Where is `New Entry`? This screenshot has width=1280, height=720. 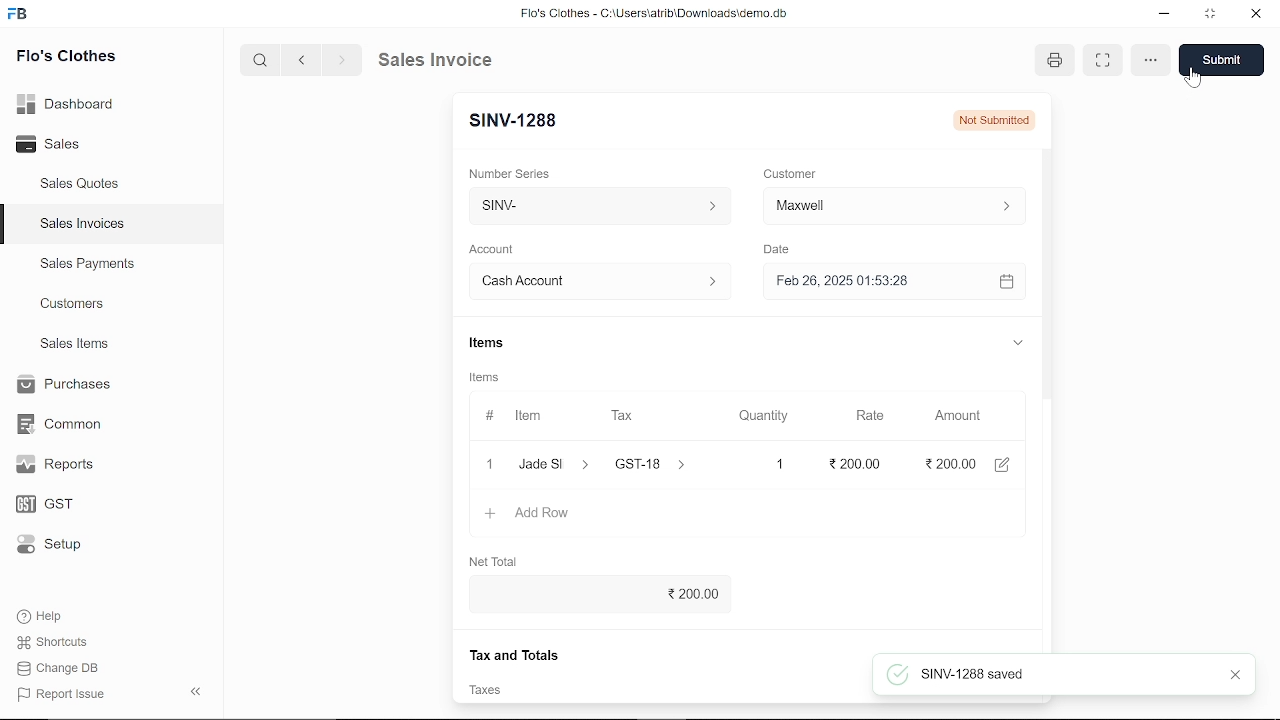 New Entry is located at coordinates (521, 121).